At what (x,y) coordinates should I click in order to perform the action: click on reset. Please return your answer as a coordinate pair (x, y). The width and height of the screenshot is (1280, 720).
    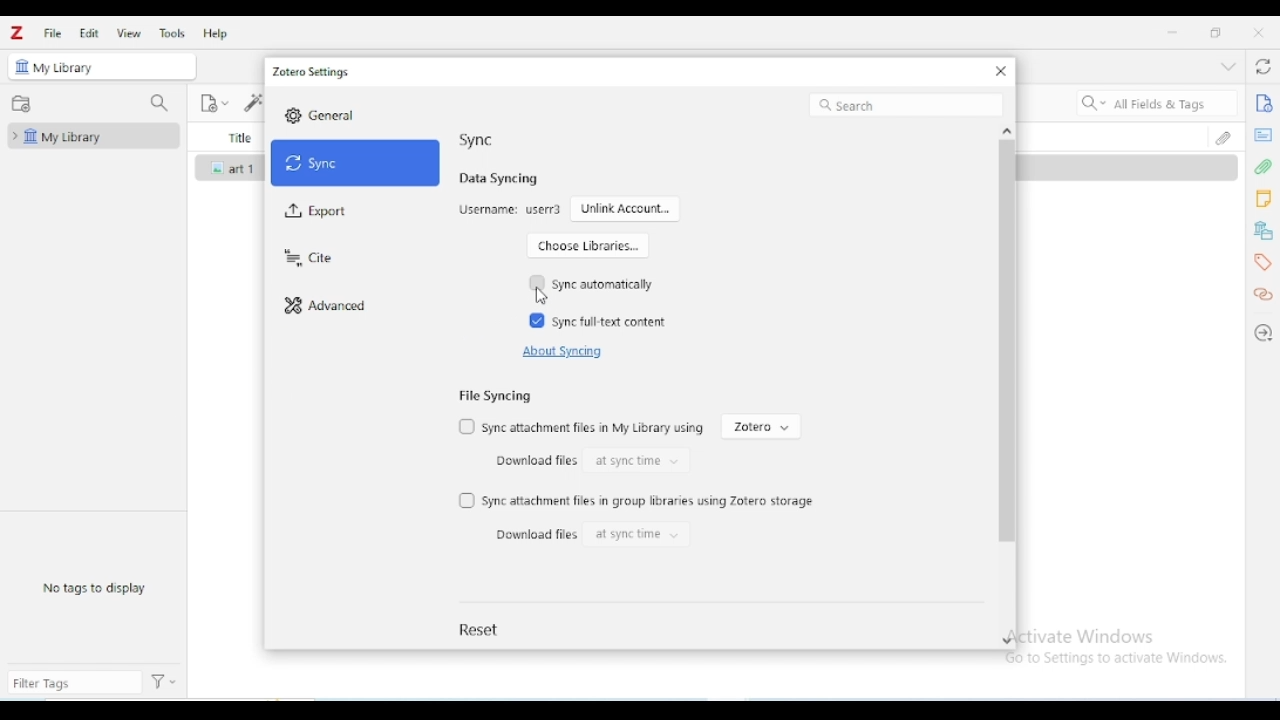
    Looking at the image, I should click on (481, 629).